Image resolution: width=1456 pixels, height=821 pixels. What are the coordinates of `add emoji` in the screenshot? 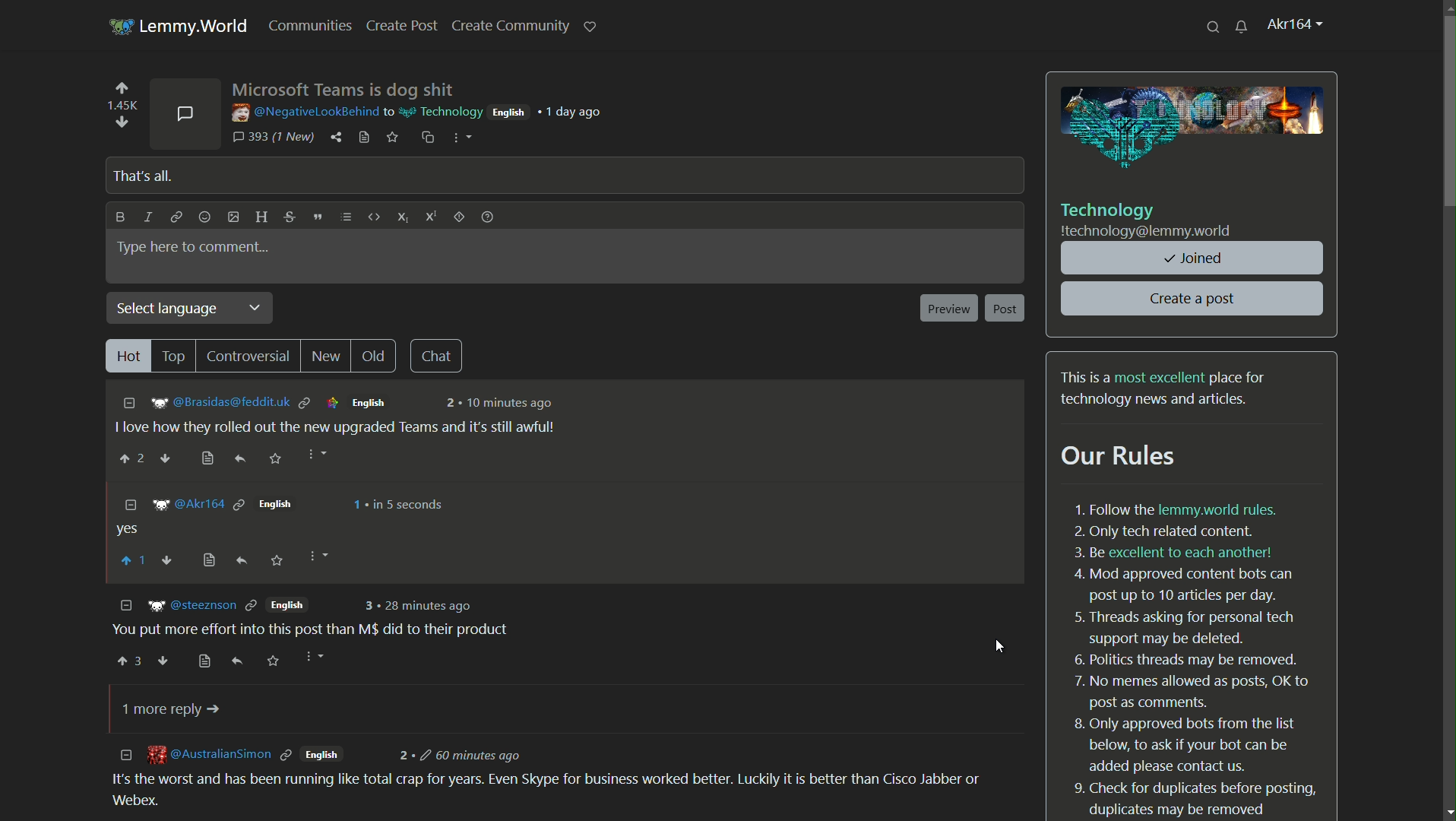 It's located at (204, 217).